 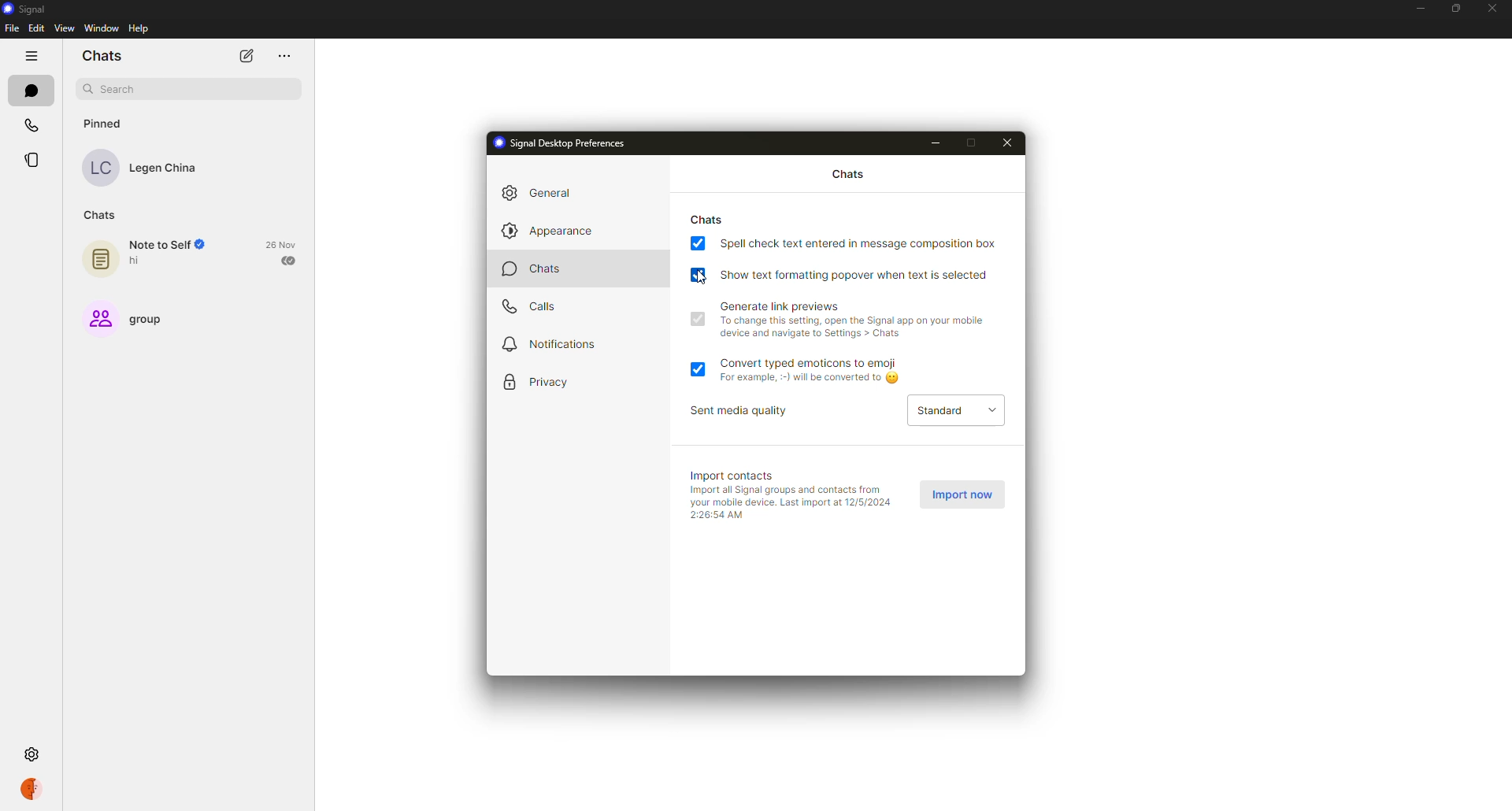 I want to click on close, so click(x=1493, y=8).